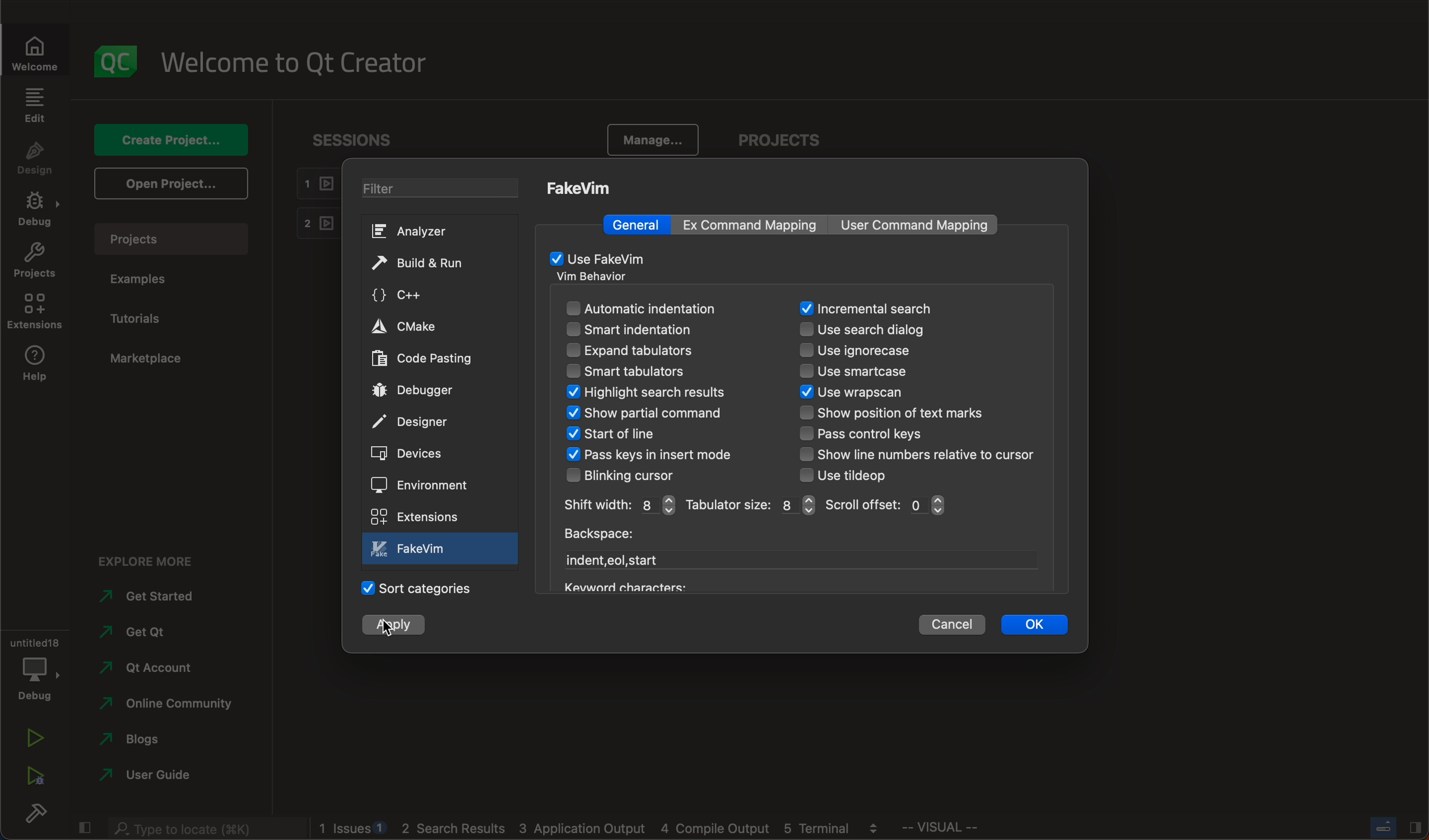  I want to click on marketplace, so click(150, 358).